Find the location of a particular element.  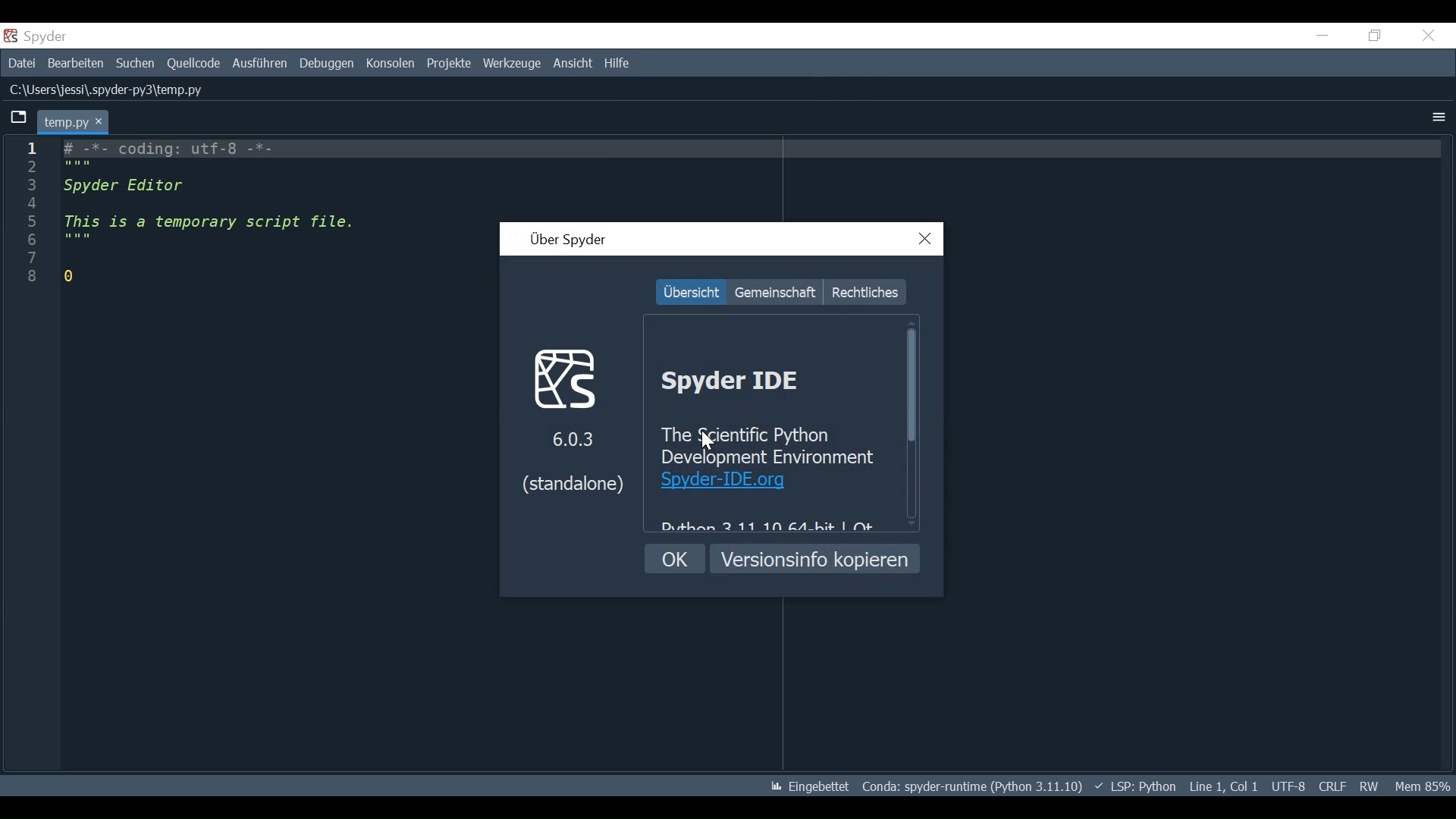

Language is located at coordinates (1136, 786).